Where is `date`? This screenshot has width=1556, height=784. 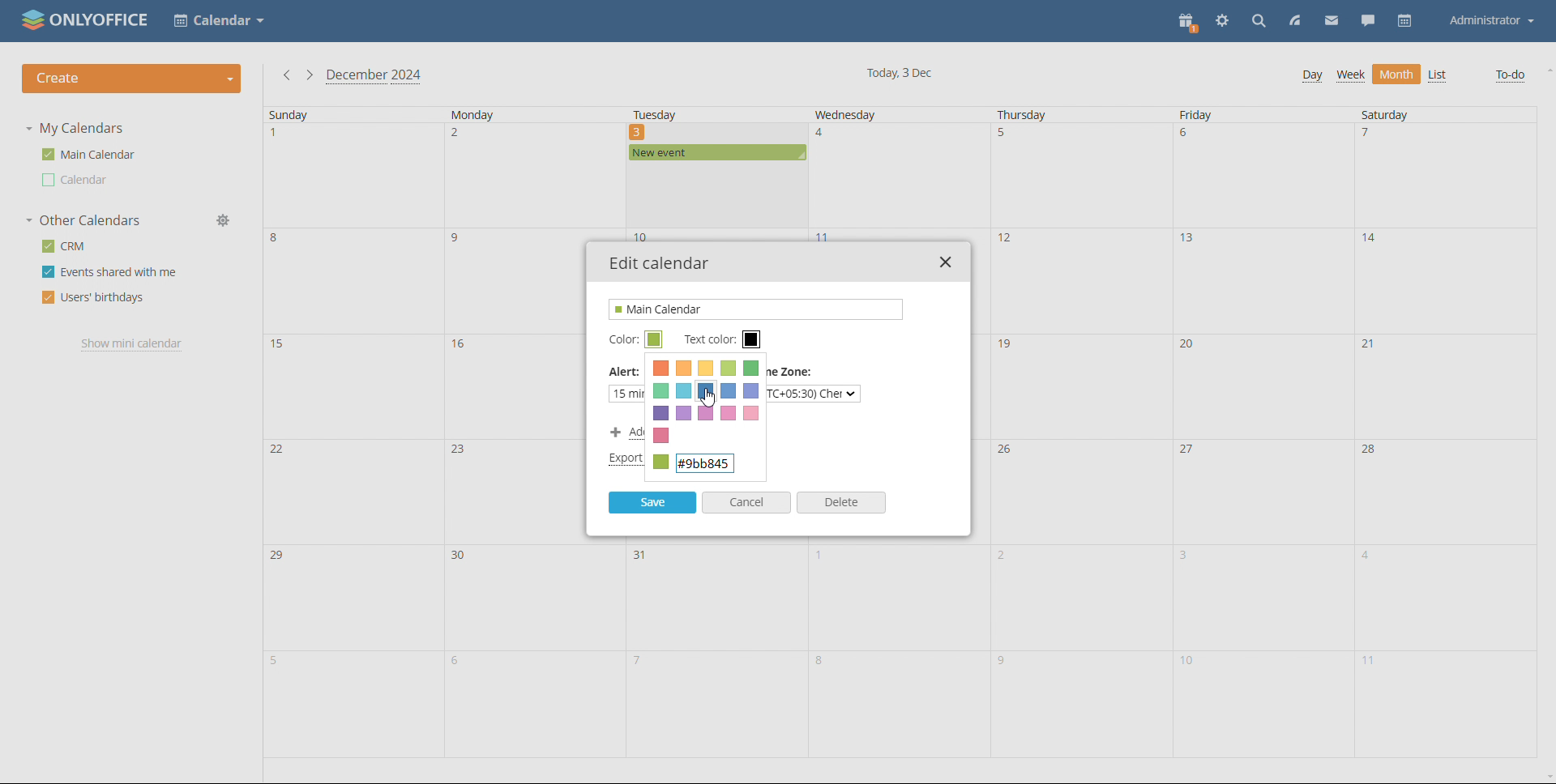
date is located at coordinates (532, 703).